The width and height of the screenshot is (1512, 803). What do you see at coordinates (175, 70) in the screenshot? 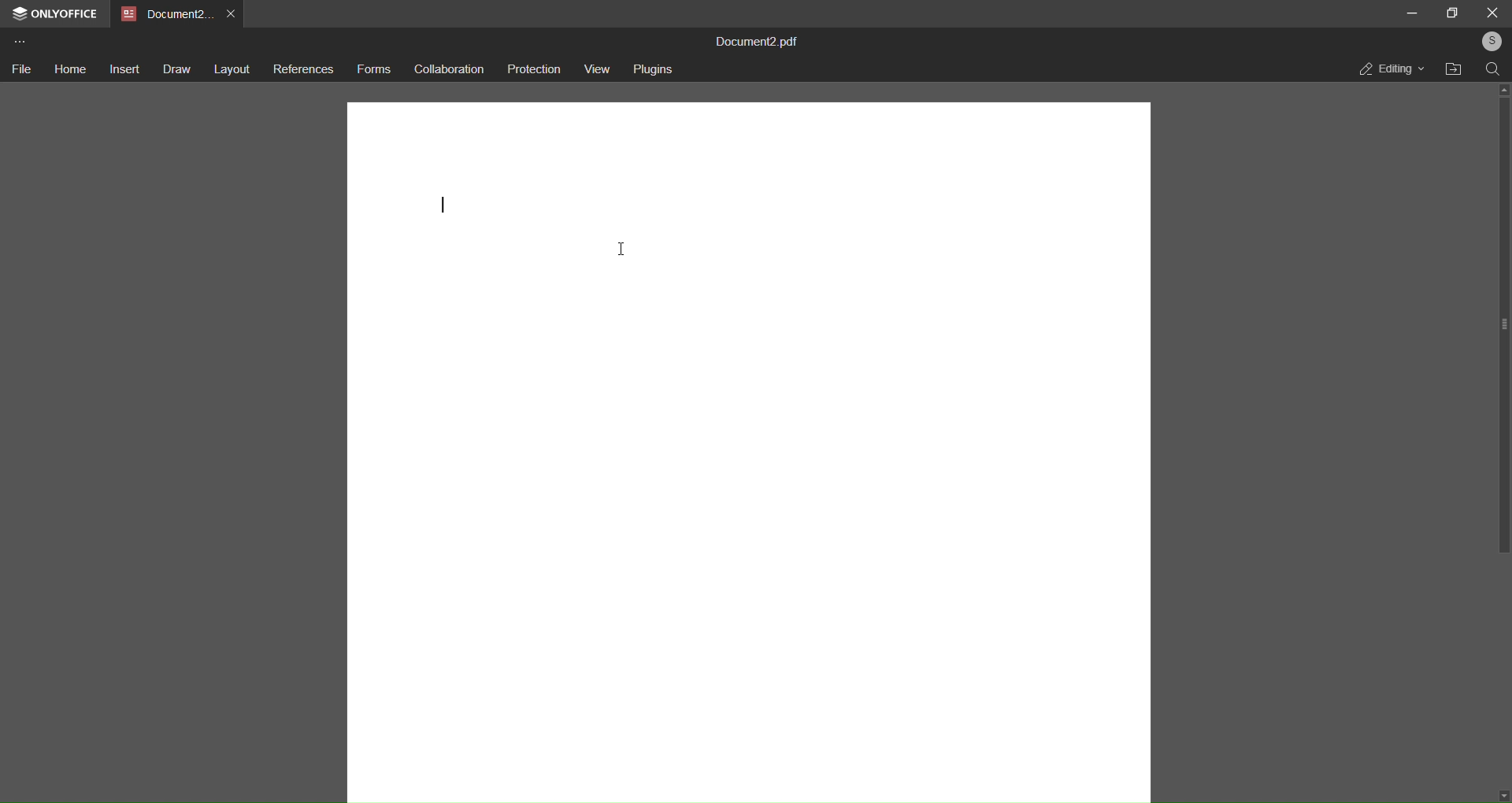
I see `draw` at bounding box center [175, 70].